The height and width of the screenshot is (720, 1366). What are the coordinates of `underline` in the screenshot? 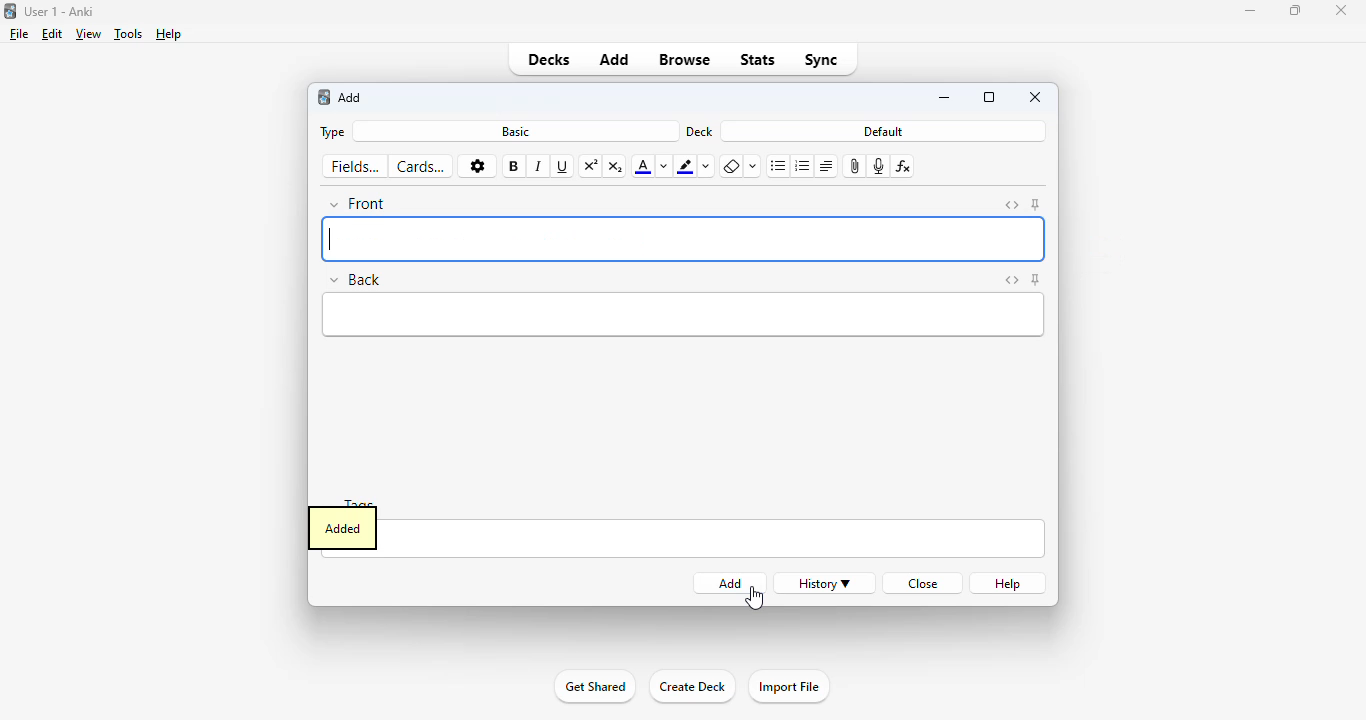 It's located at (563, 167).